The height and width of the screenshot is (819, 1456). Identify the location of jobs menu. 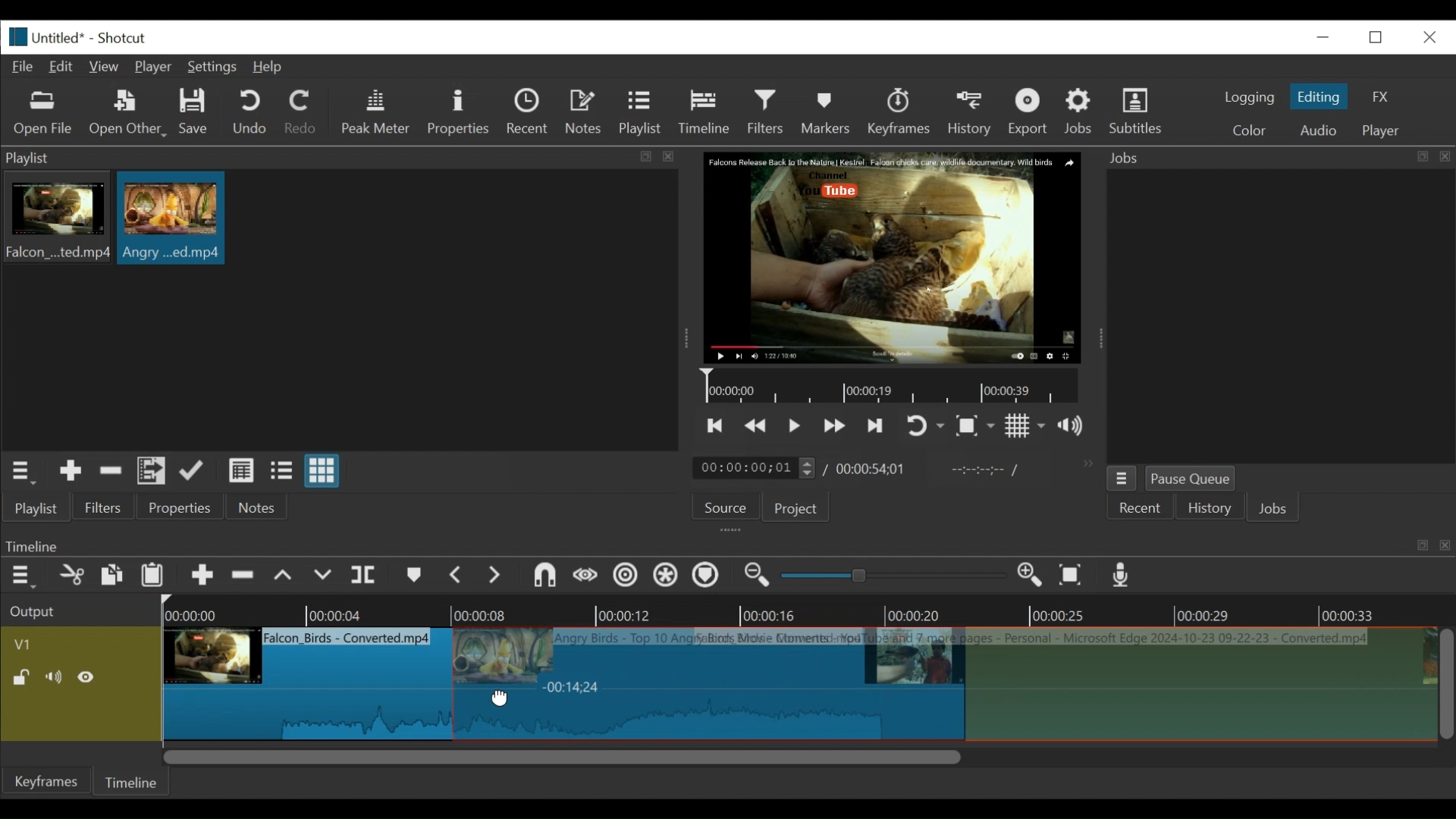
(1122, 476).